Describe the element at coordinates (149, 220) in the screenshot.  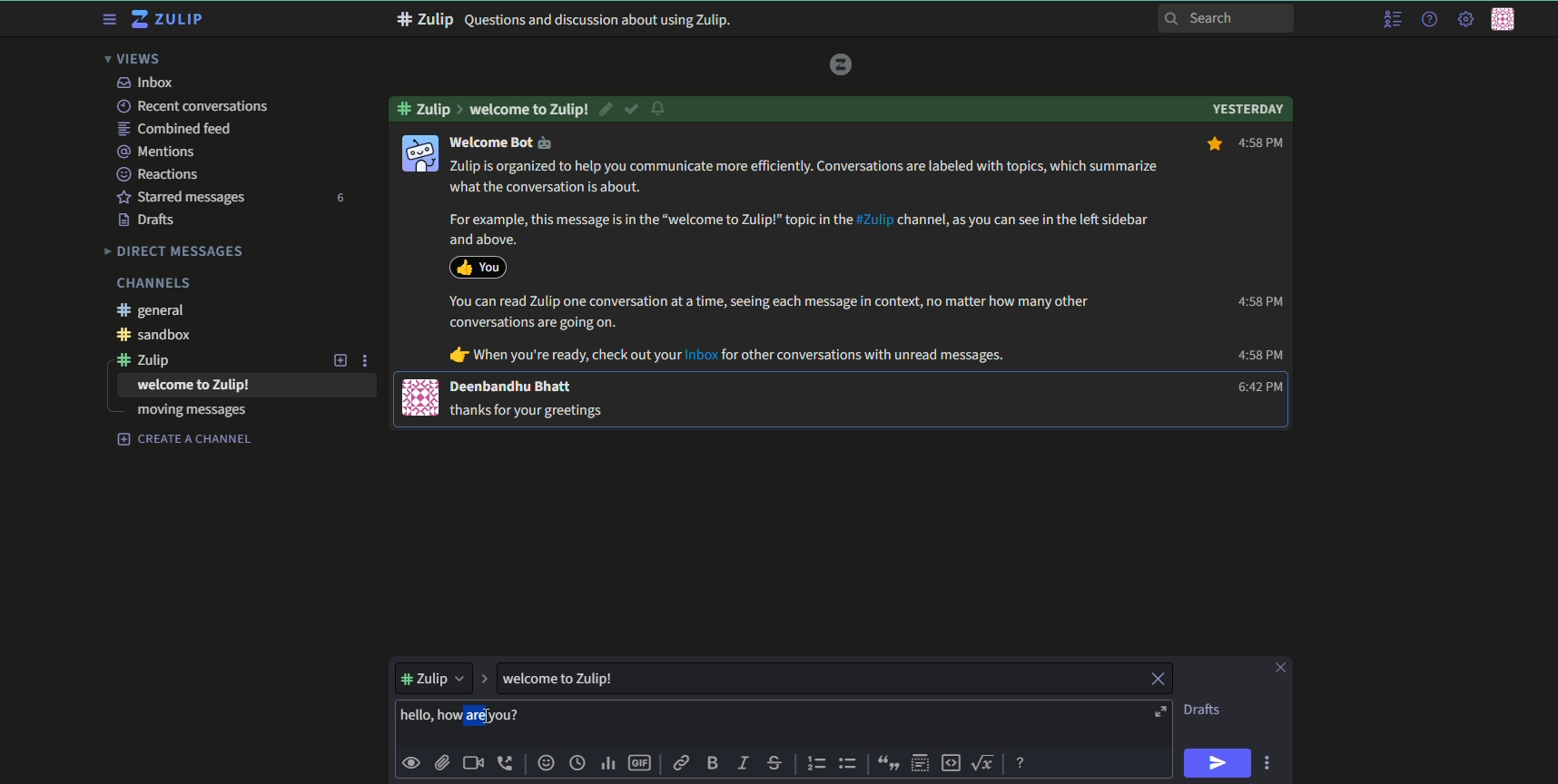
I see `Drafts` at that location.